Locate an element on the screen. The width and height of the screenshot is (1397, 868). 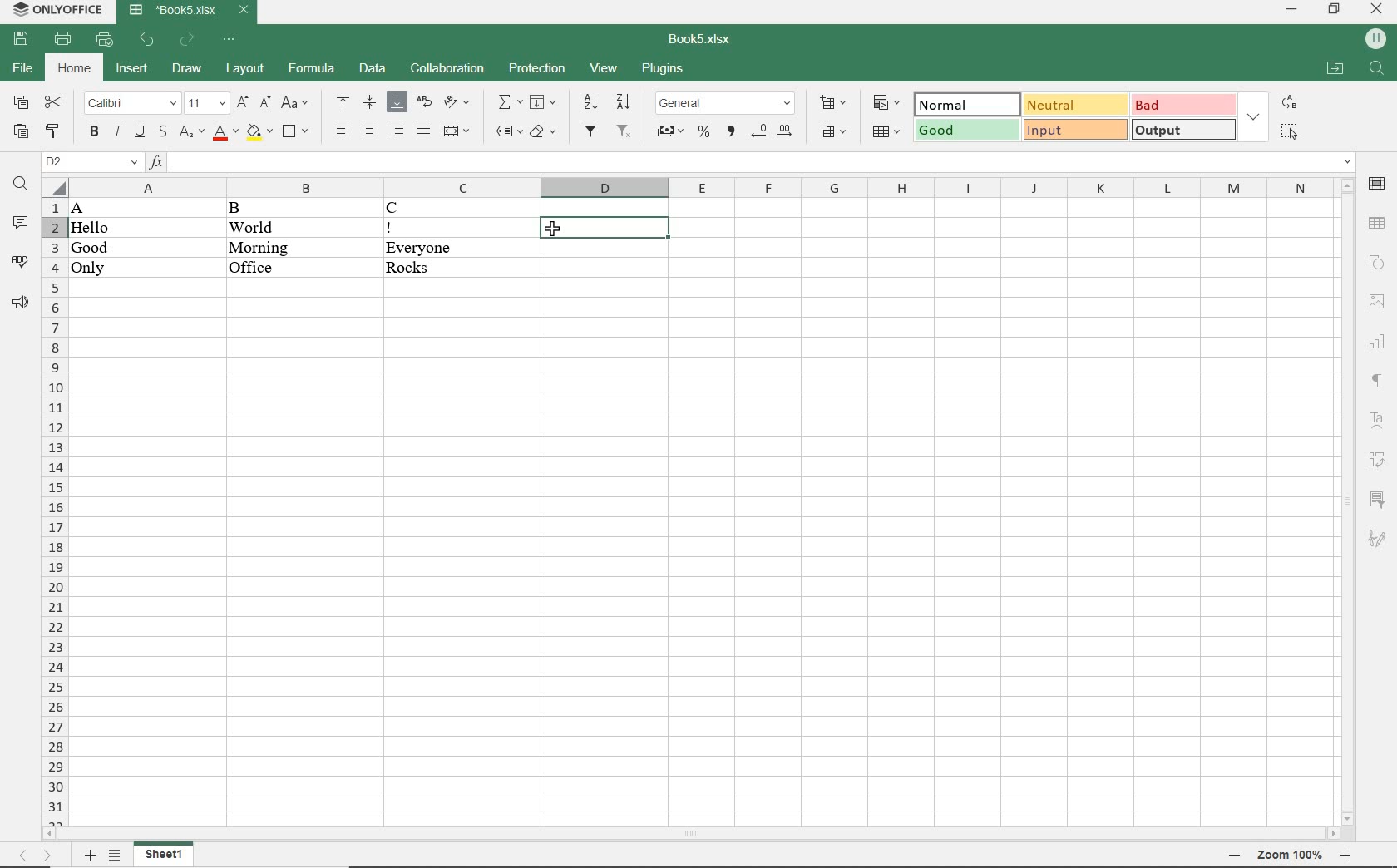
select all is located at coordinates (1288, 133).